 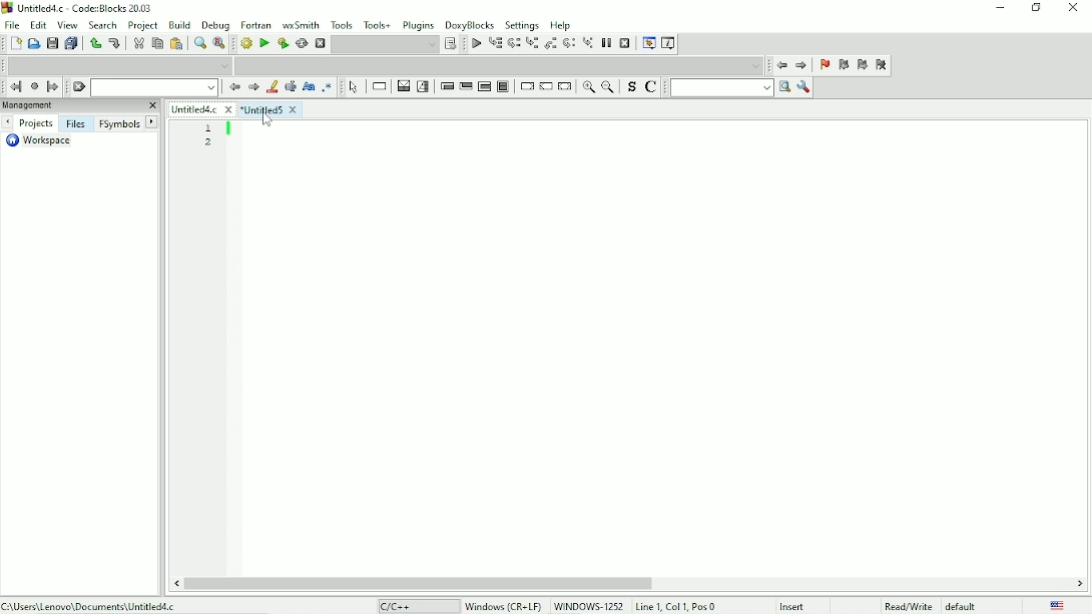 I want to click on Next, so click(x=252, y=87).